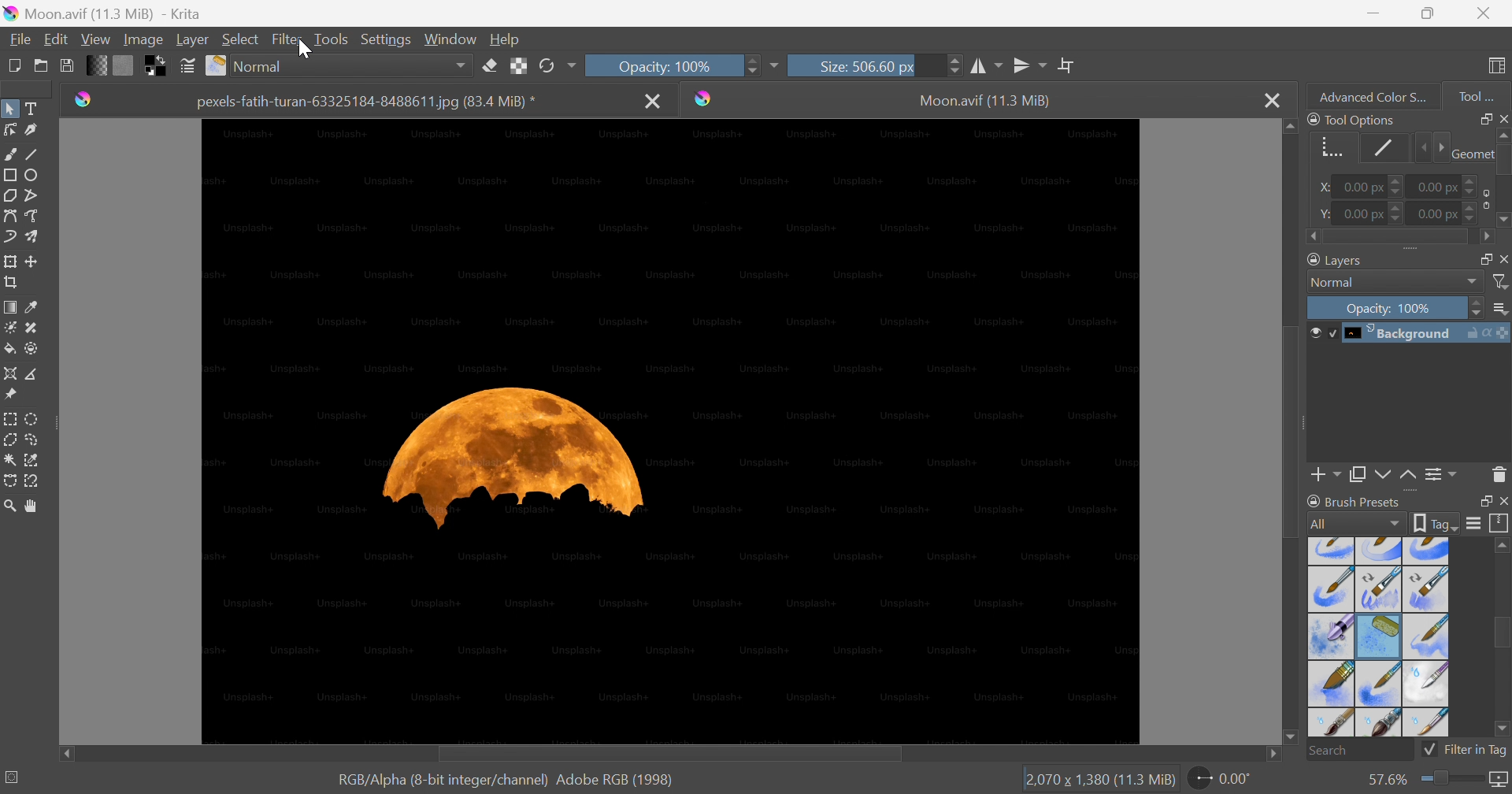 Image resolution: width=1512 pixels, height=794 pixels. Describe the element at coordinates (1503, 501) in the screenshot. I see `Close` at that location.